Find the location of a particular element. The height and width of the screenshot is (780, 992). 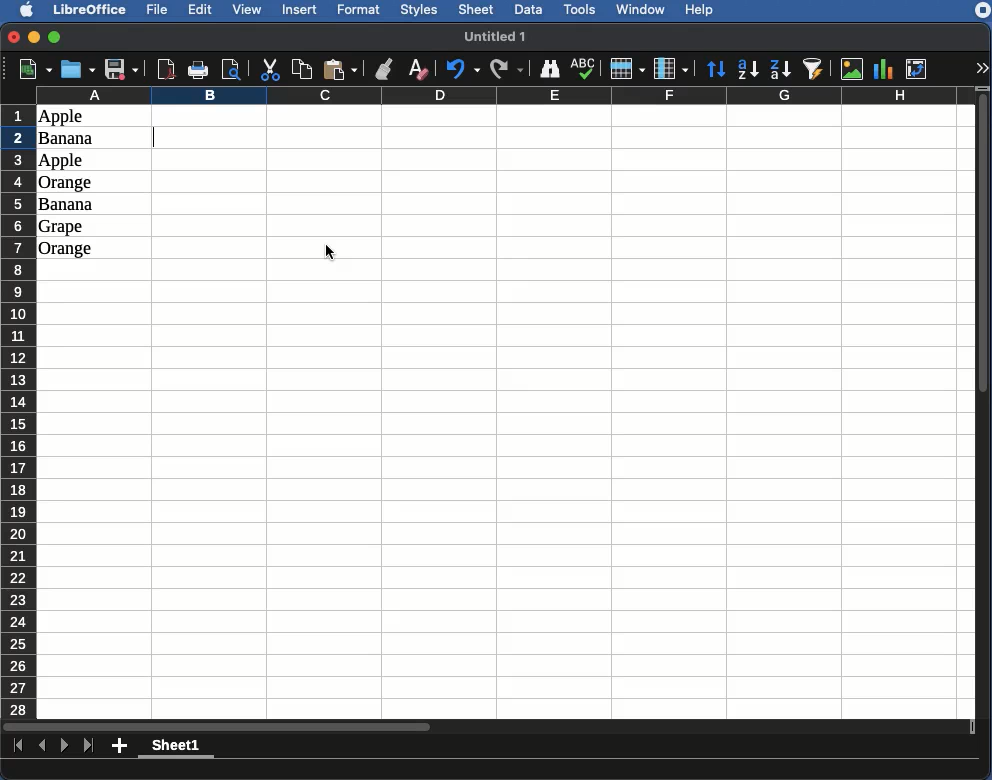

Print preview is located at coordinates (232, 69).